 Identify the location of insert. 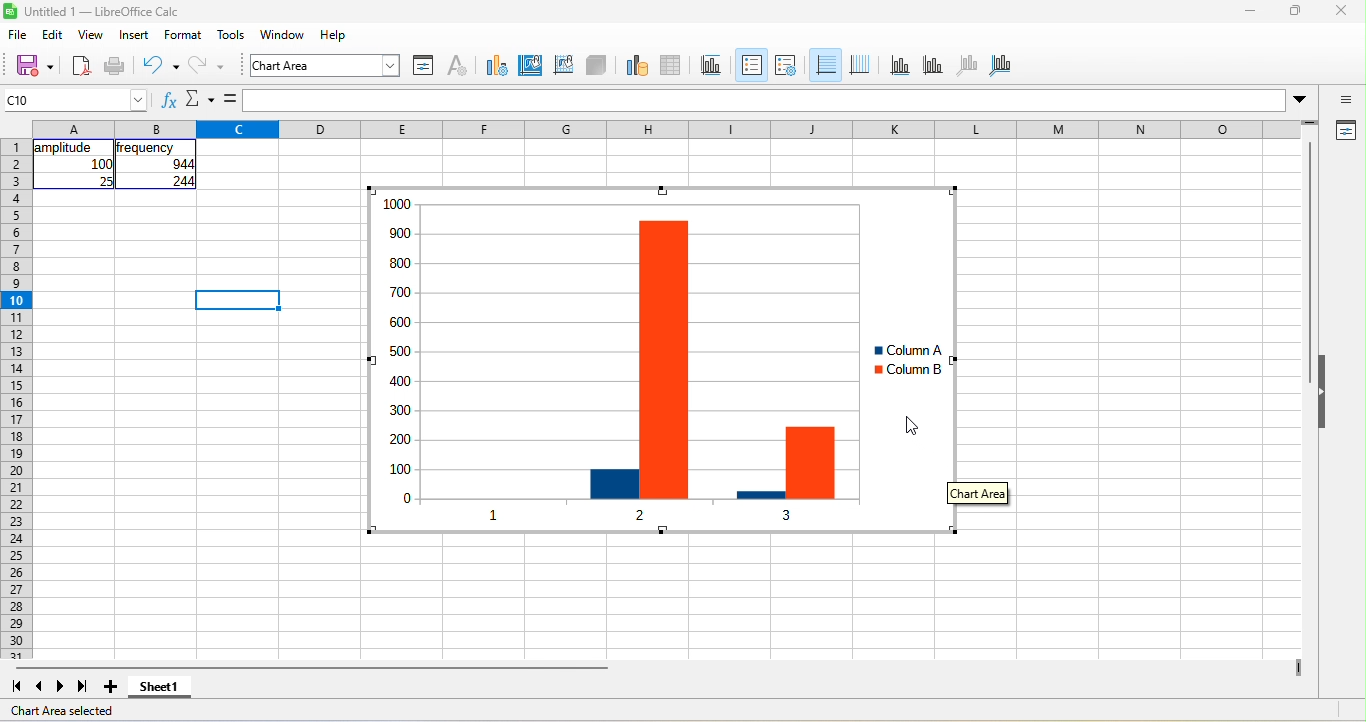
(134, 34).